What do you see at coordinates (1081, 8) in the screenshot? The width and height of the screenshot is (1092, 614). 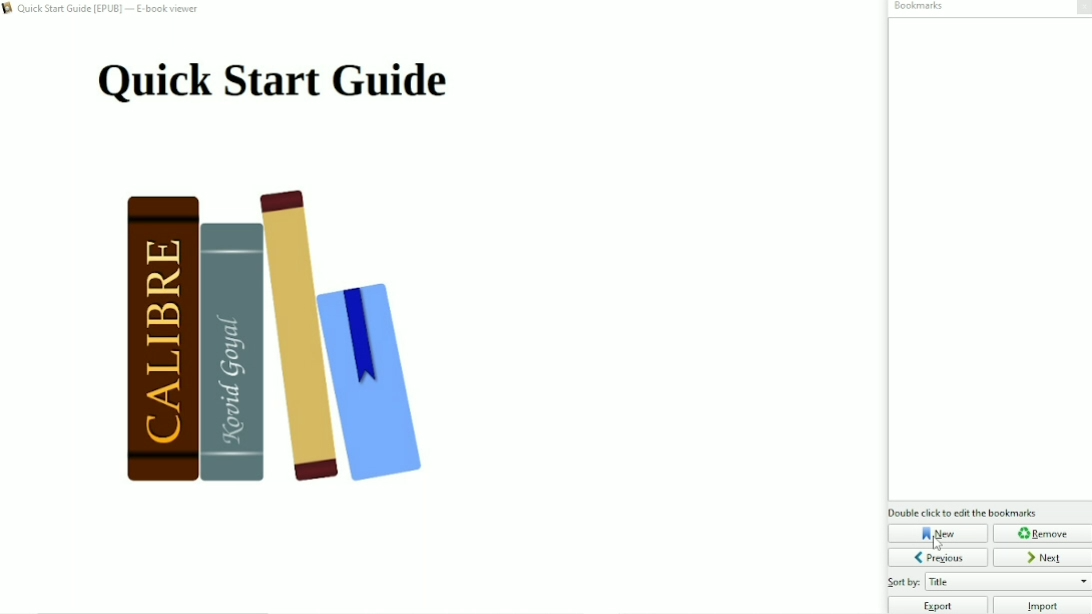 I see `Close` at bounding box center [1081, 8].